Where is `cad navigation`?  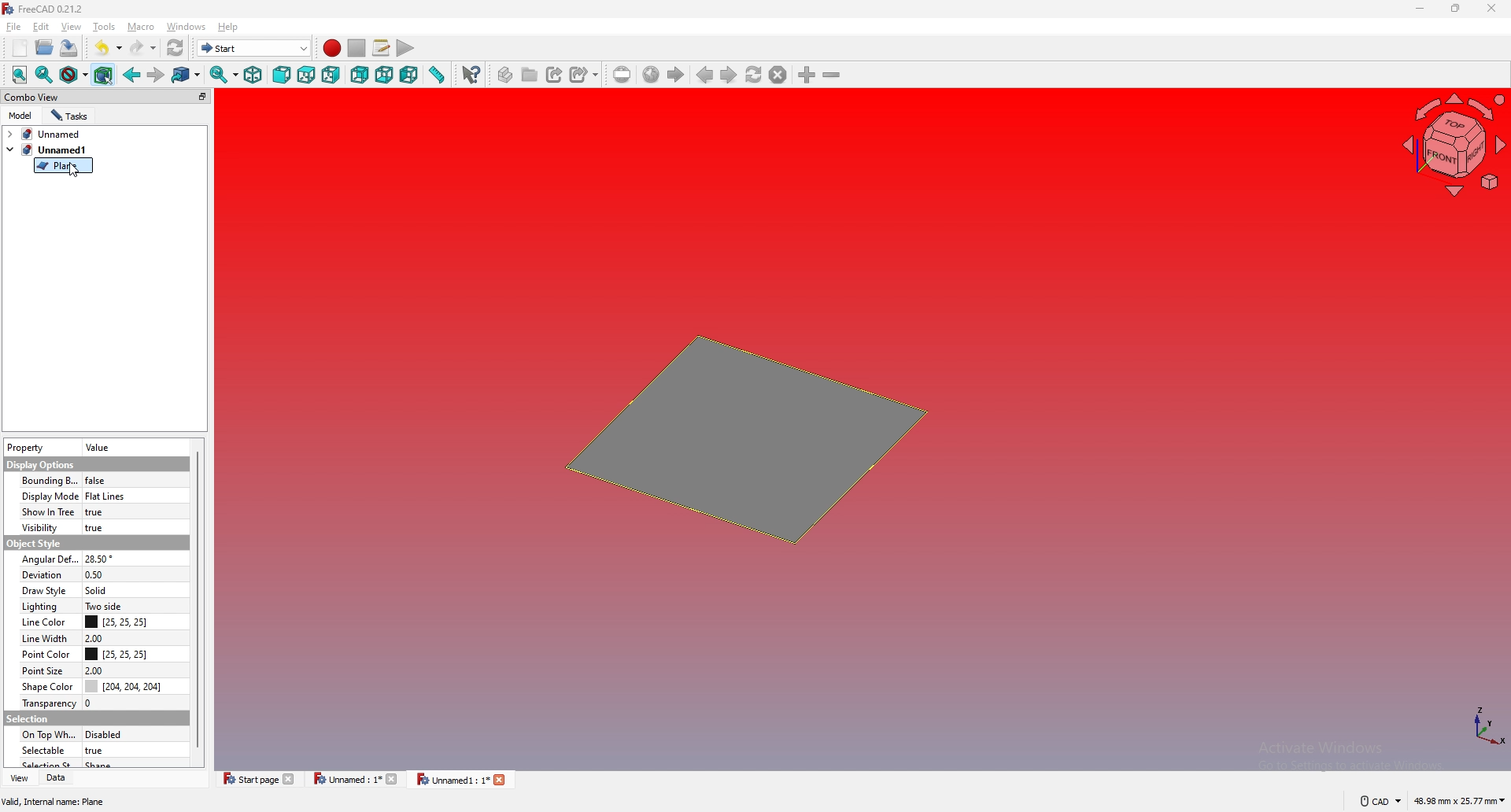 cad navigation is located at coordinates (1380, 800).